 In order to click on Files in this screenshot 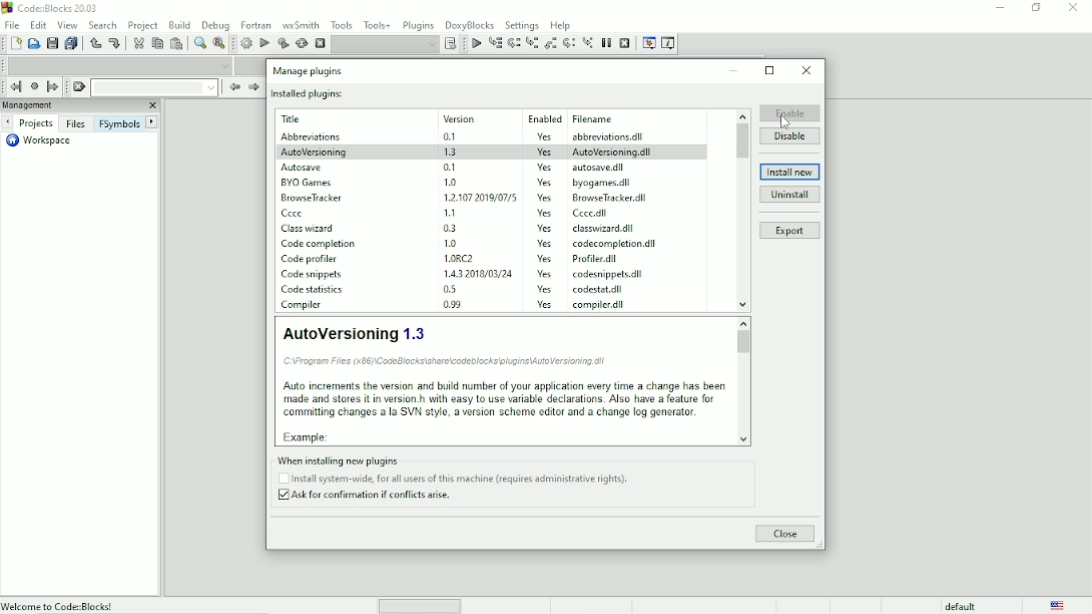, I will do `click(77, 123)`.